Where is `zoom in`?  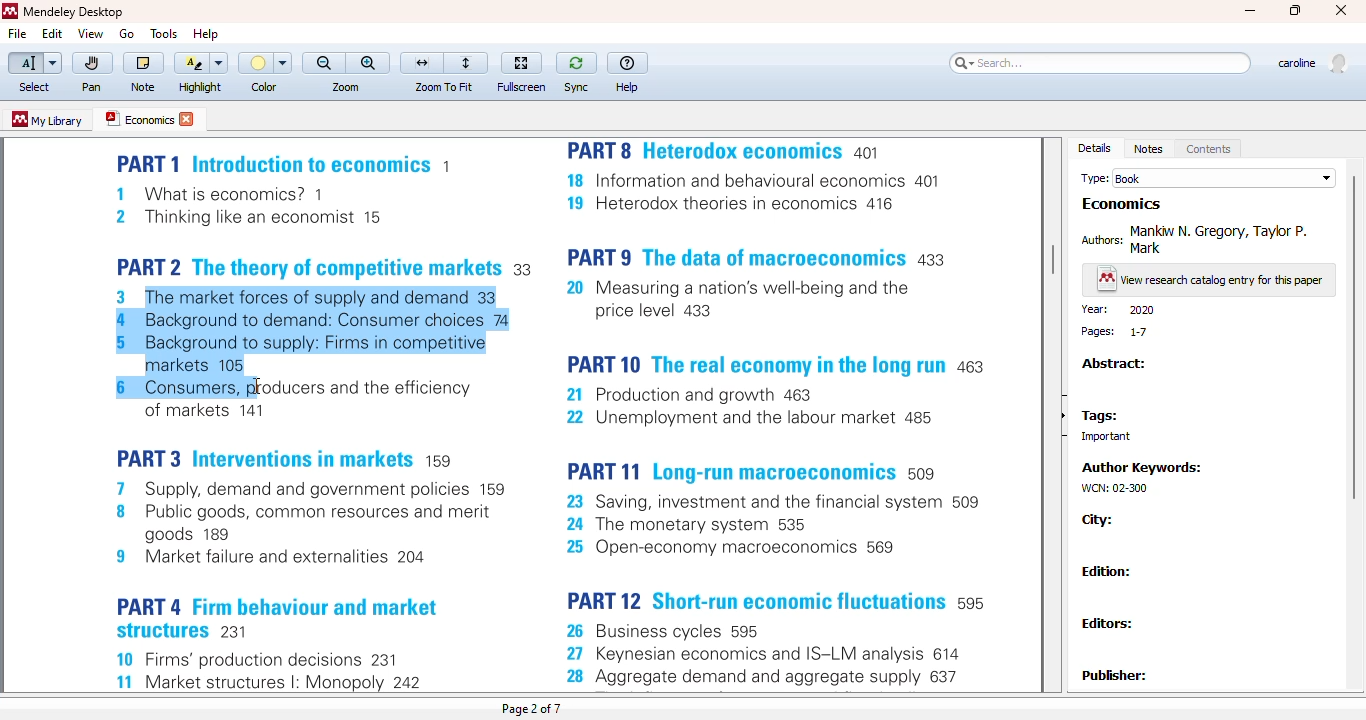
zoom in is located at coordinates (369, 63).